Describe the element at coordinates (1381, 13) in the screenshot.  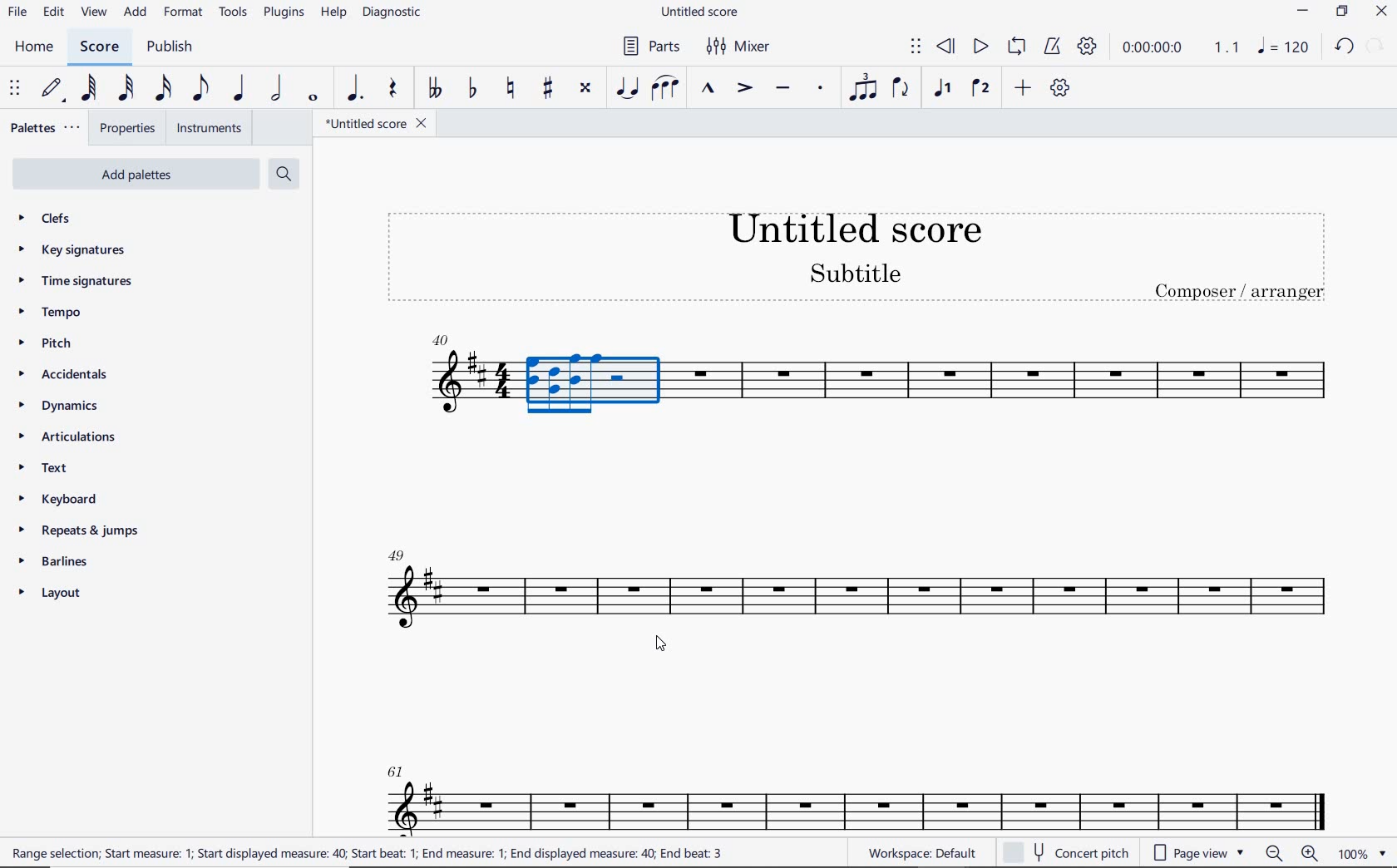
I see `CLOSE` at that location.